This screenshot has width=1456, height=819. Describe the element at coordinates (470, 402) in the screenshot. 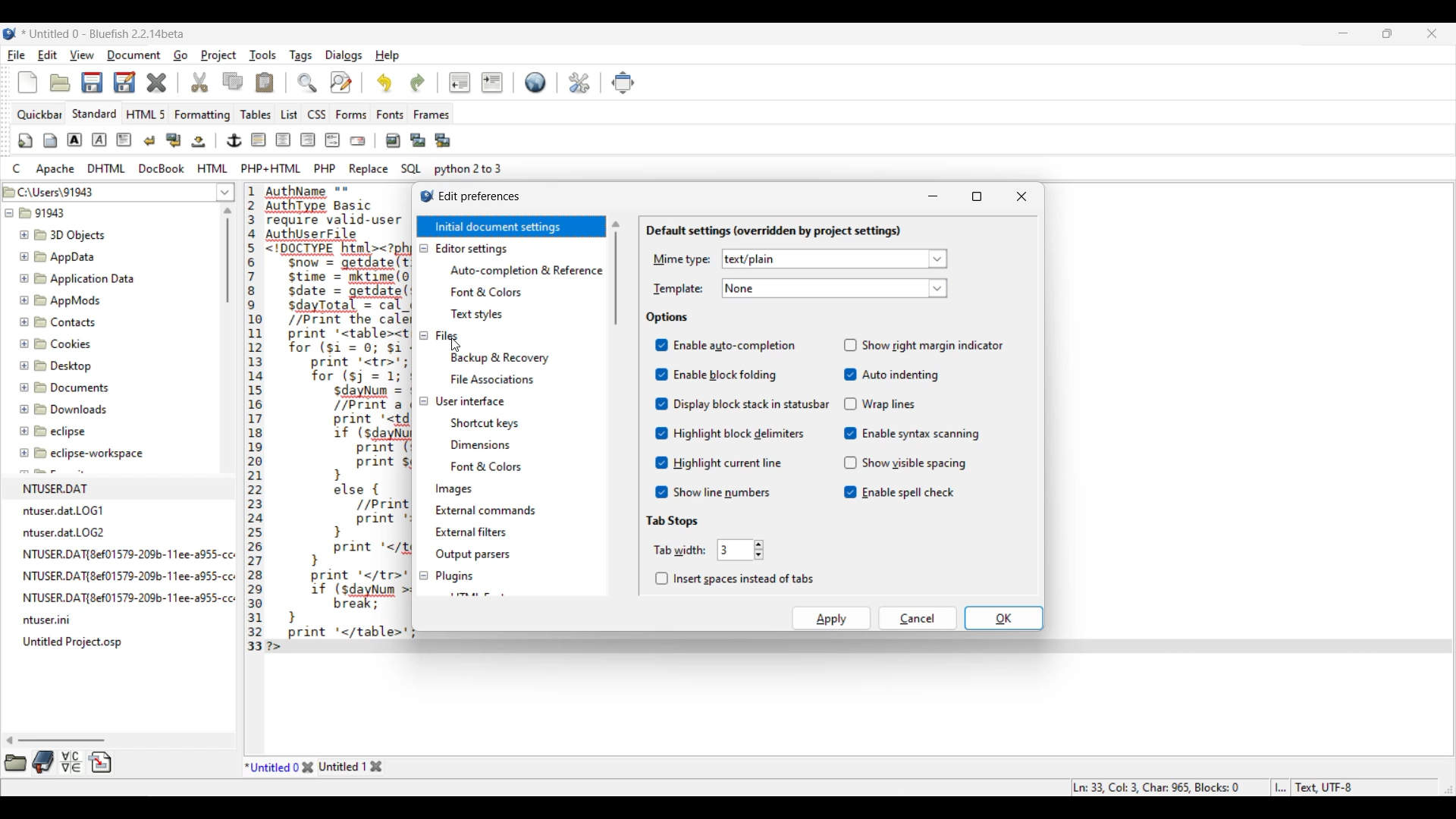

I see `User interface settings` at that location.